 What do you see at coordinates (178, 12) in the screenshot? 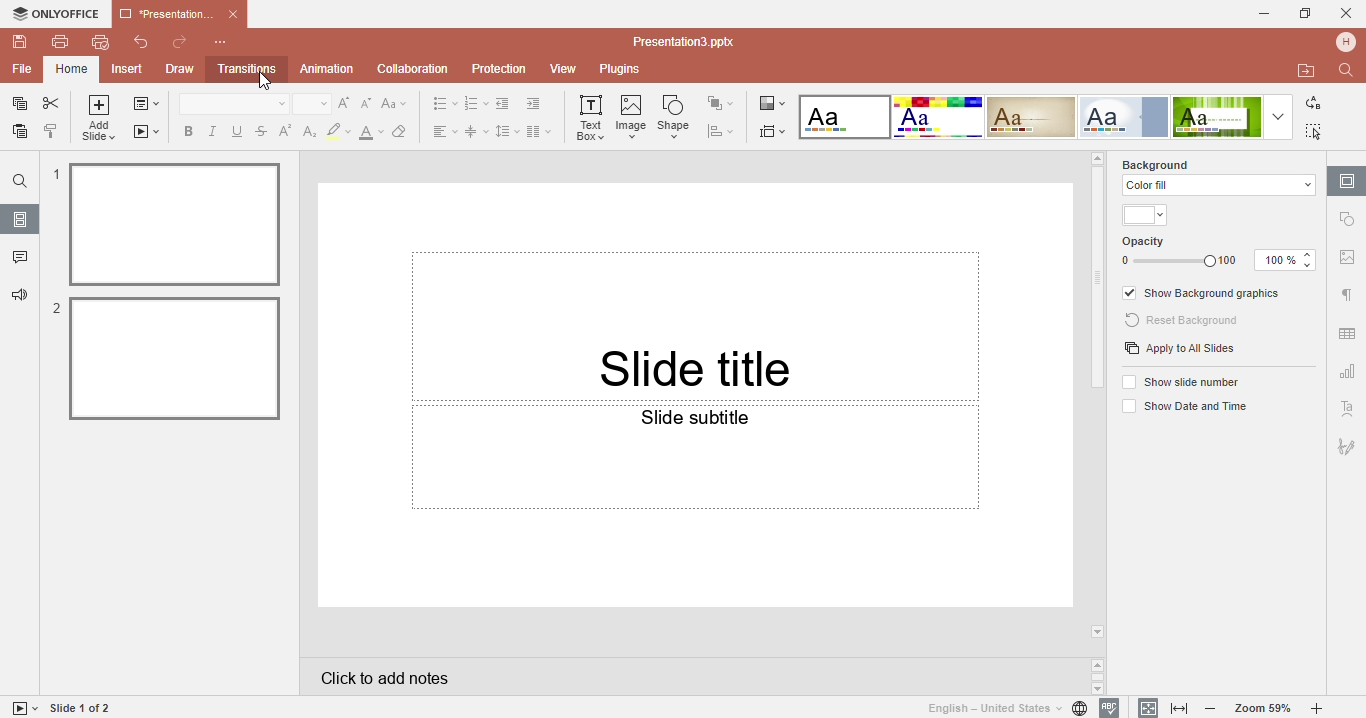
I see `Document name` at bounding box center [178, 12].